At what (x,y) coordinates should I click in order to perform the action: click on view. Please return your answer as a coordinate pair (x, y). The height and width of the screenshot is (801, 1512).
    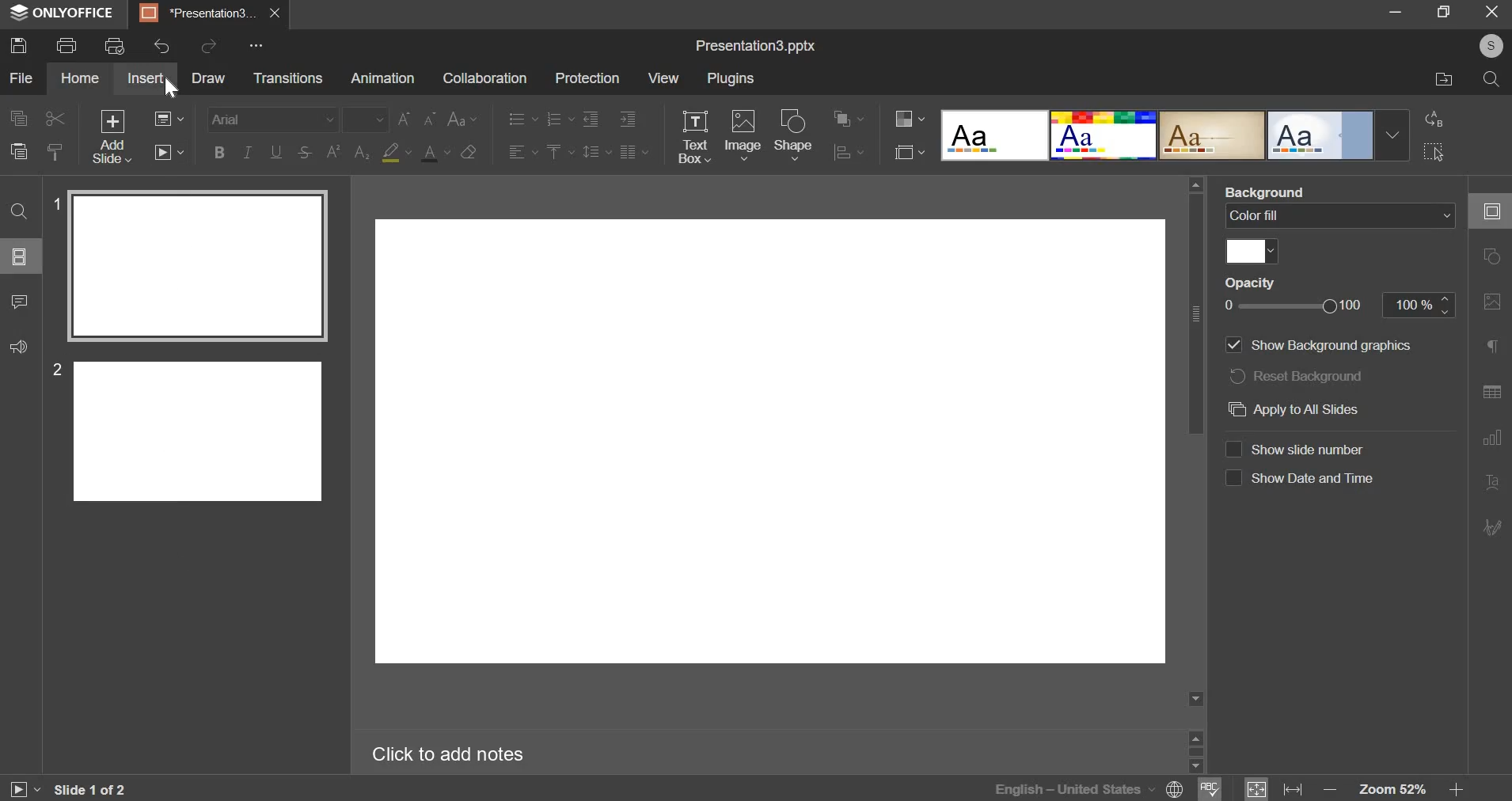
    Looking at the image, I should click on (663, 78).